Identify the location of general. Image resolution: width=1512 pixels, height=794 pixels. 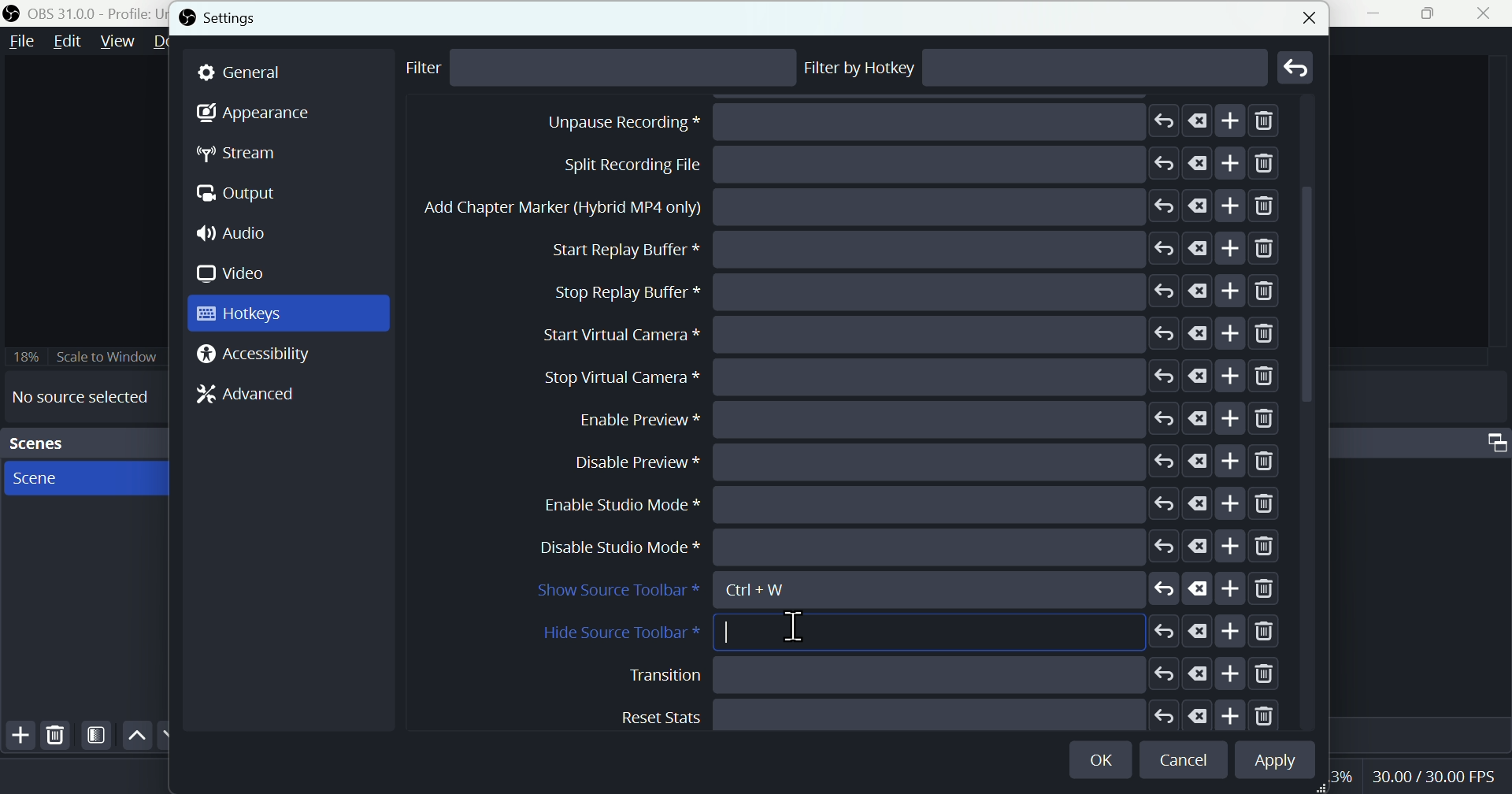
(289, 72).